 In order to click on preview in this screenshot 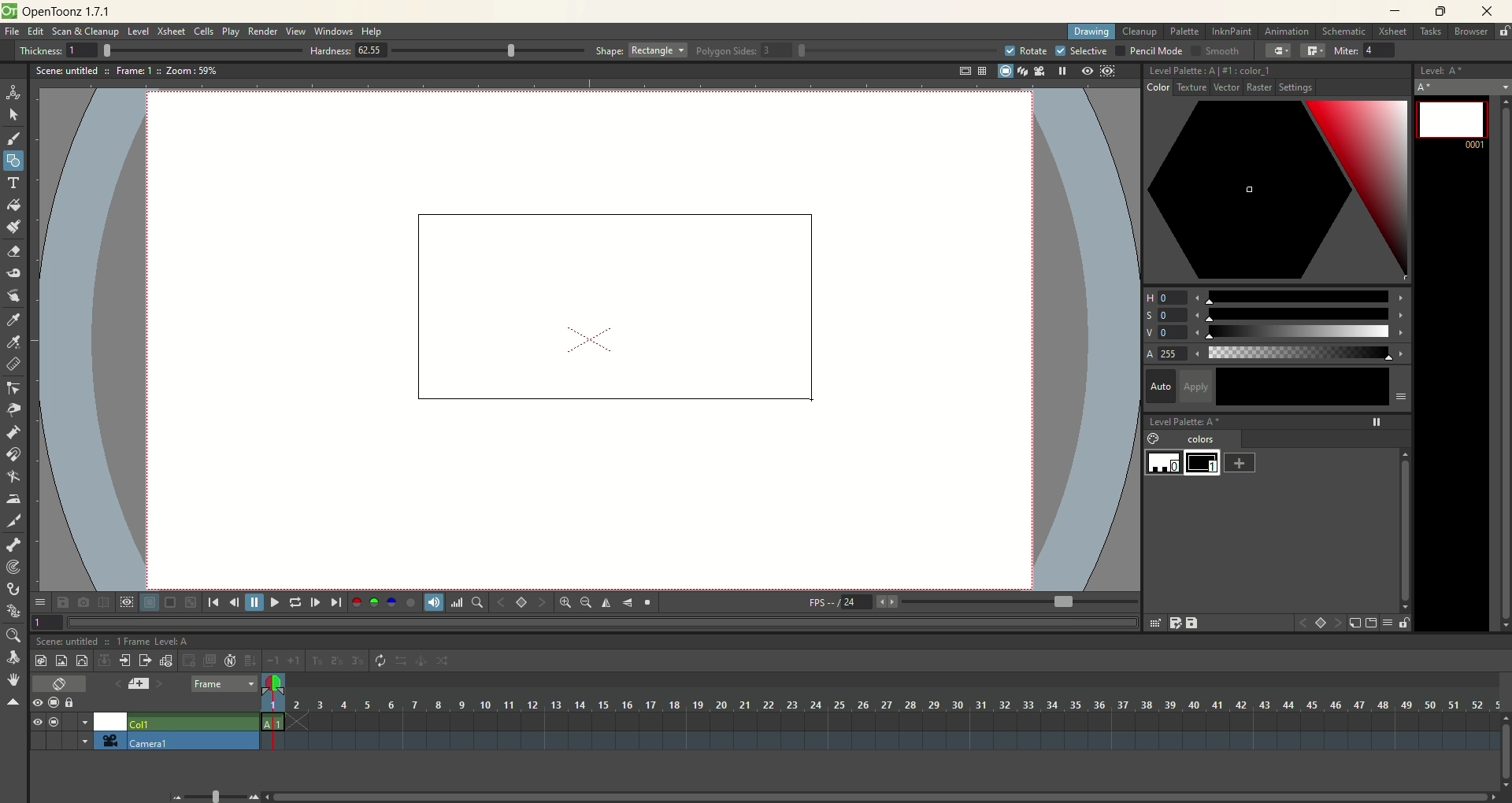, I will do `click(1084, 72)`.